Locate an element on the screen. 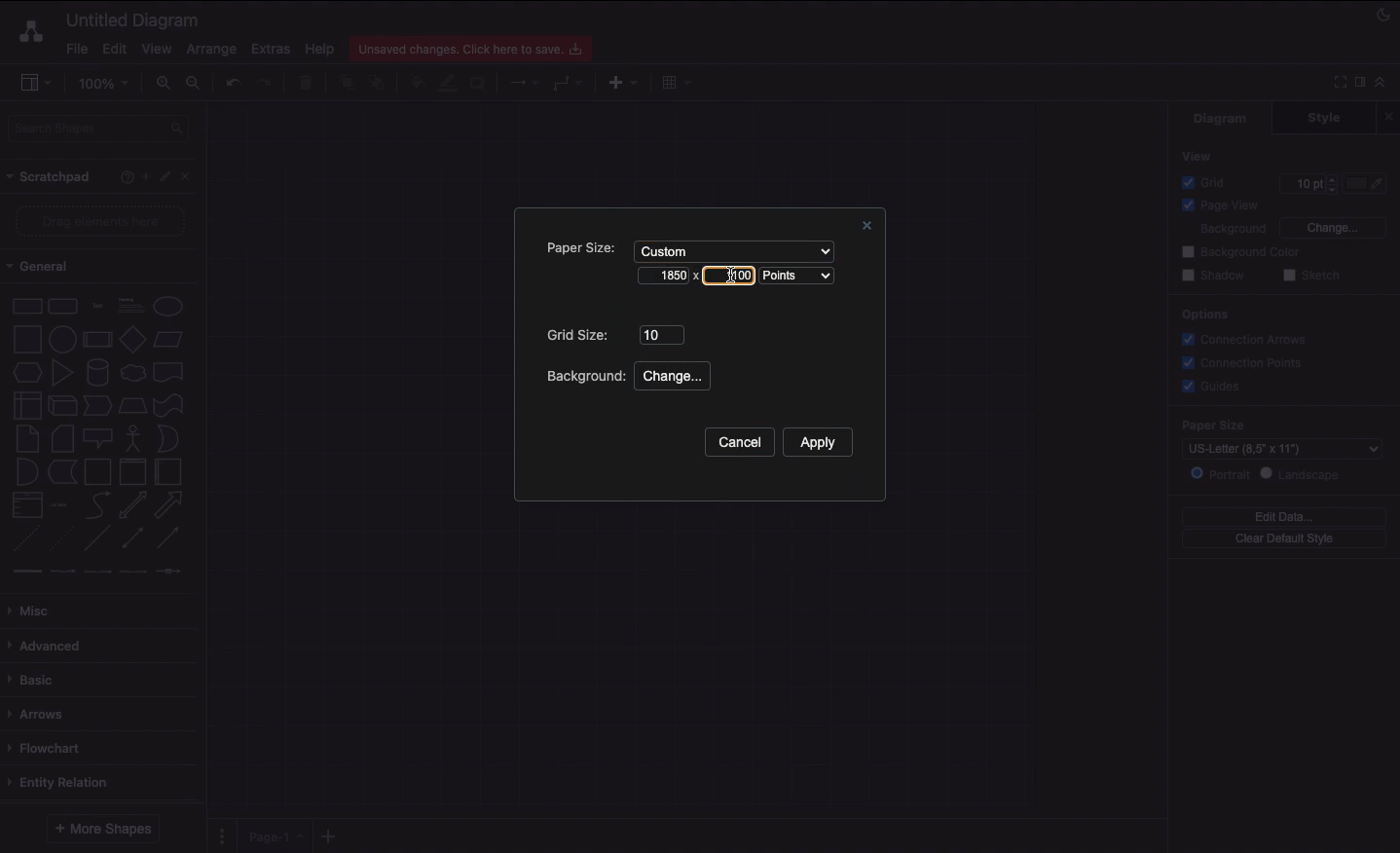 The height and width of the screenshot is (853, 1400). Zoom out is located at coordinates (196, 85).